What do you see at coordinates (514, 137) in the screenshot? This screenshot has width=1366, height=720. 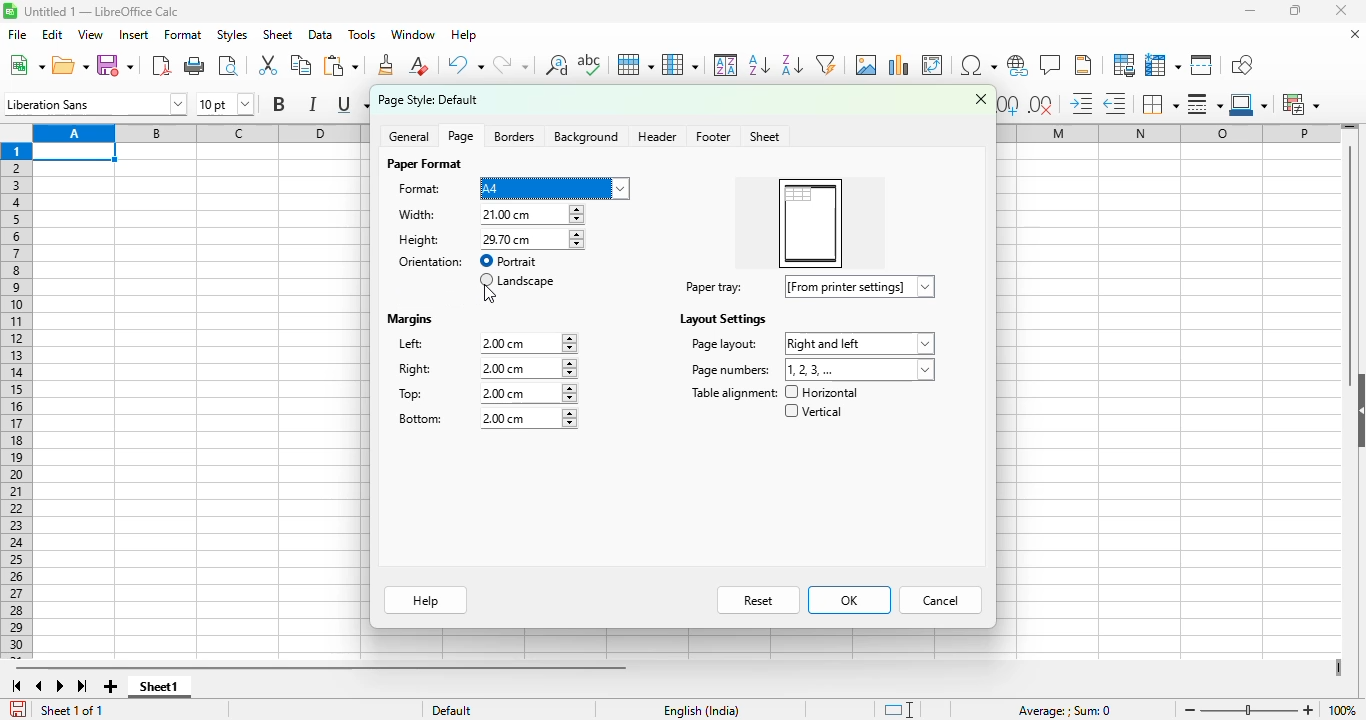 I see `borders` at bounding box center [514, 137].